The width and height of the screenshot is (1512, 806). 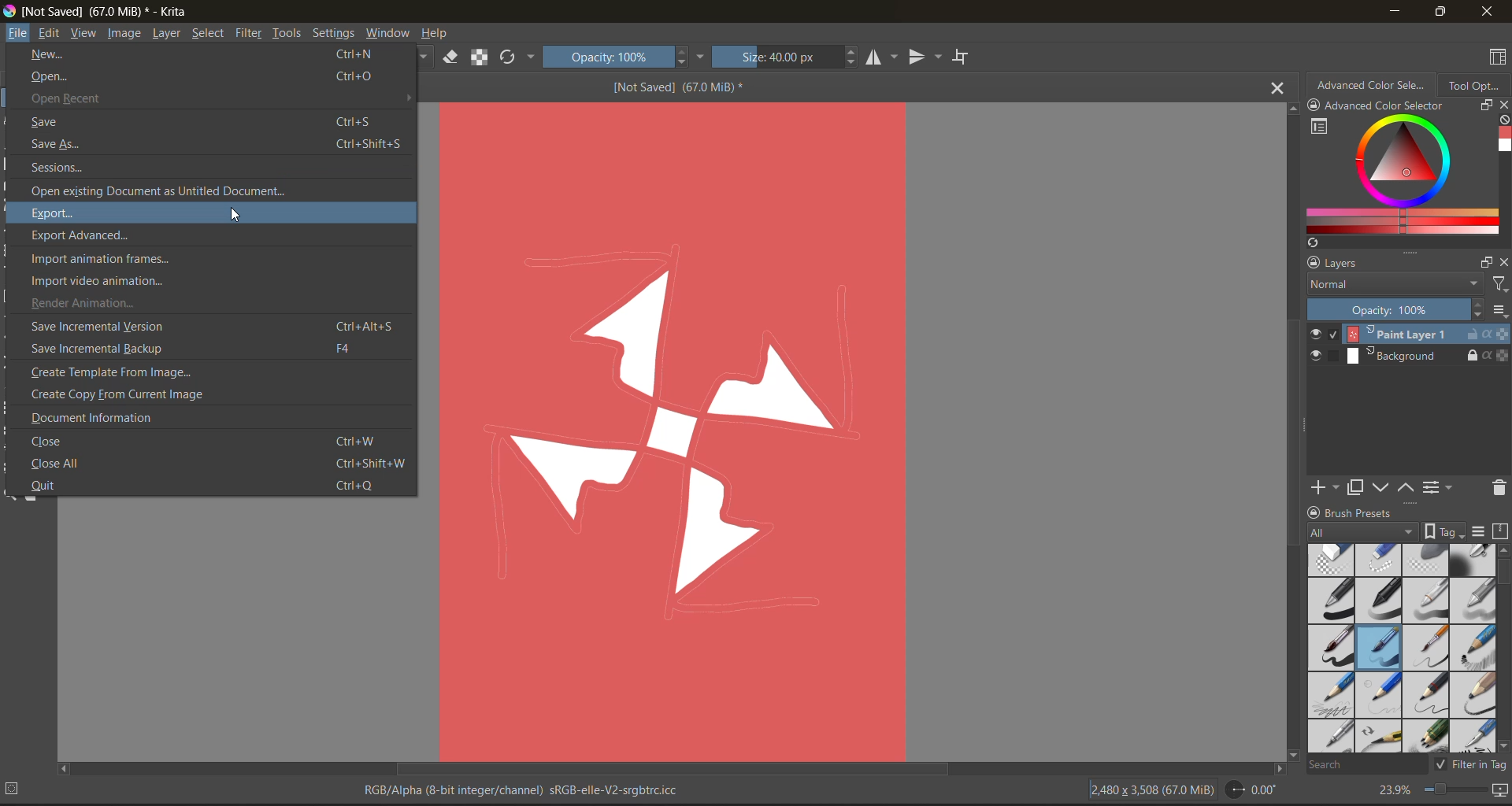 What do you see at coordinates (287, 33) in the screenshot?
I see `tools` at bounding box center [287, 33].